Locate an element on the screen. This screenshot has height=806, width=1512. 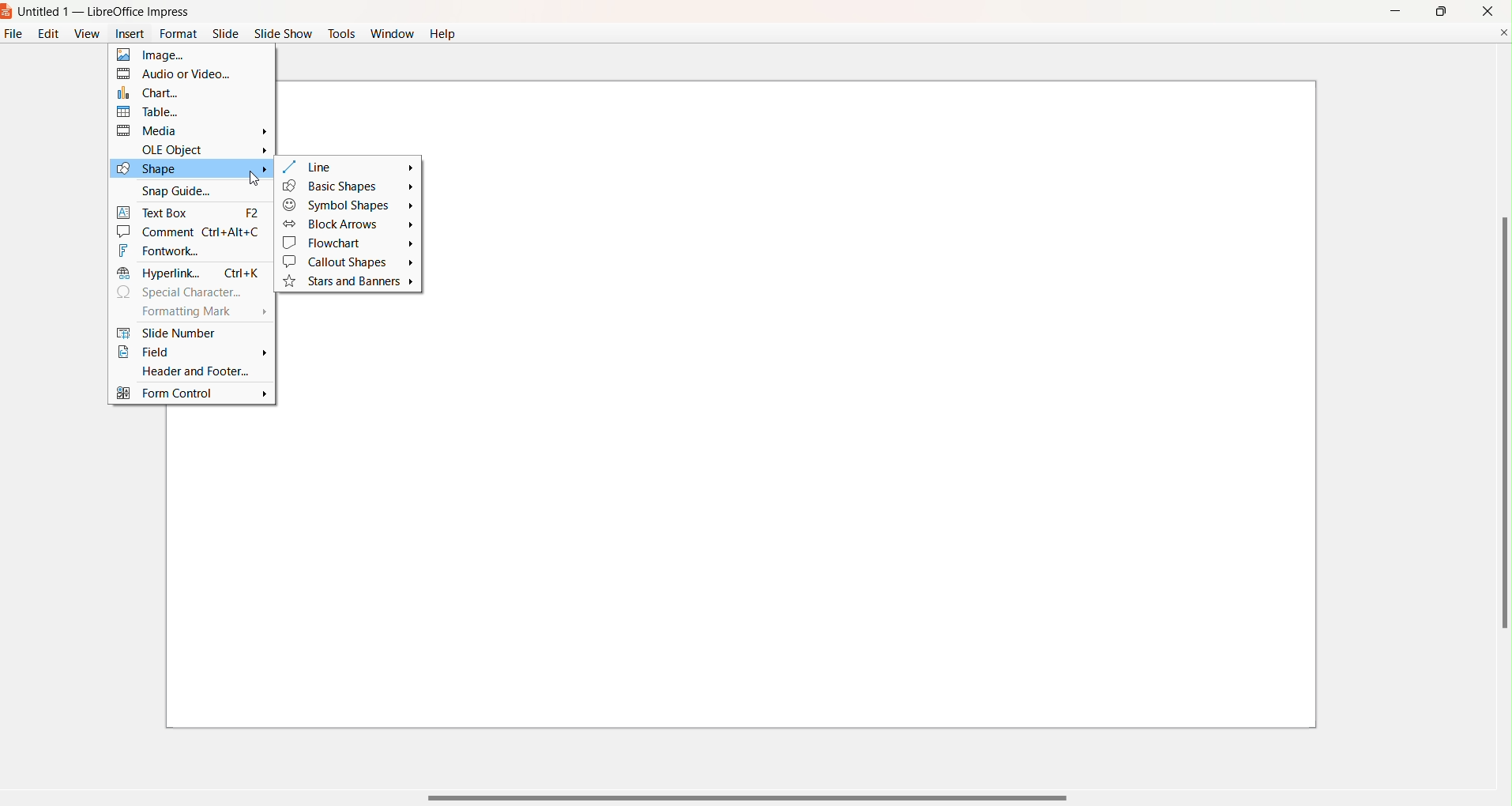
Image is located at coordinates (181, 55).